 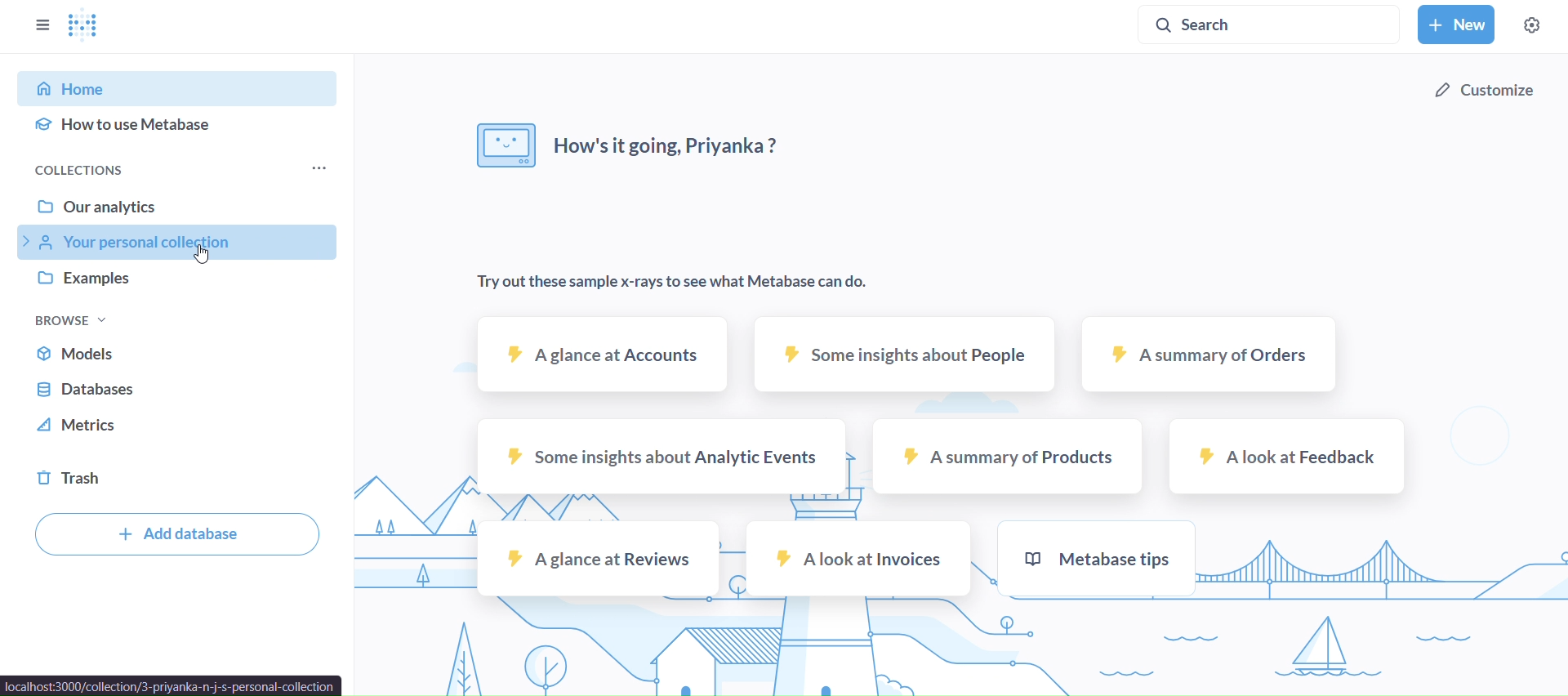 What do you see at coordinates (177, 533) in the screenshot?
I see `add database` at bounding box center [177, 533].